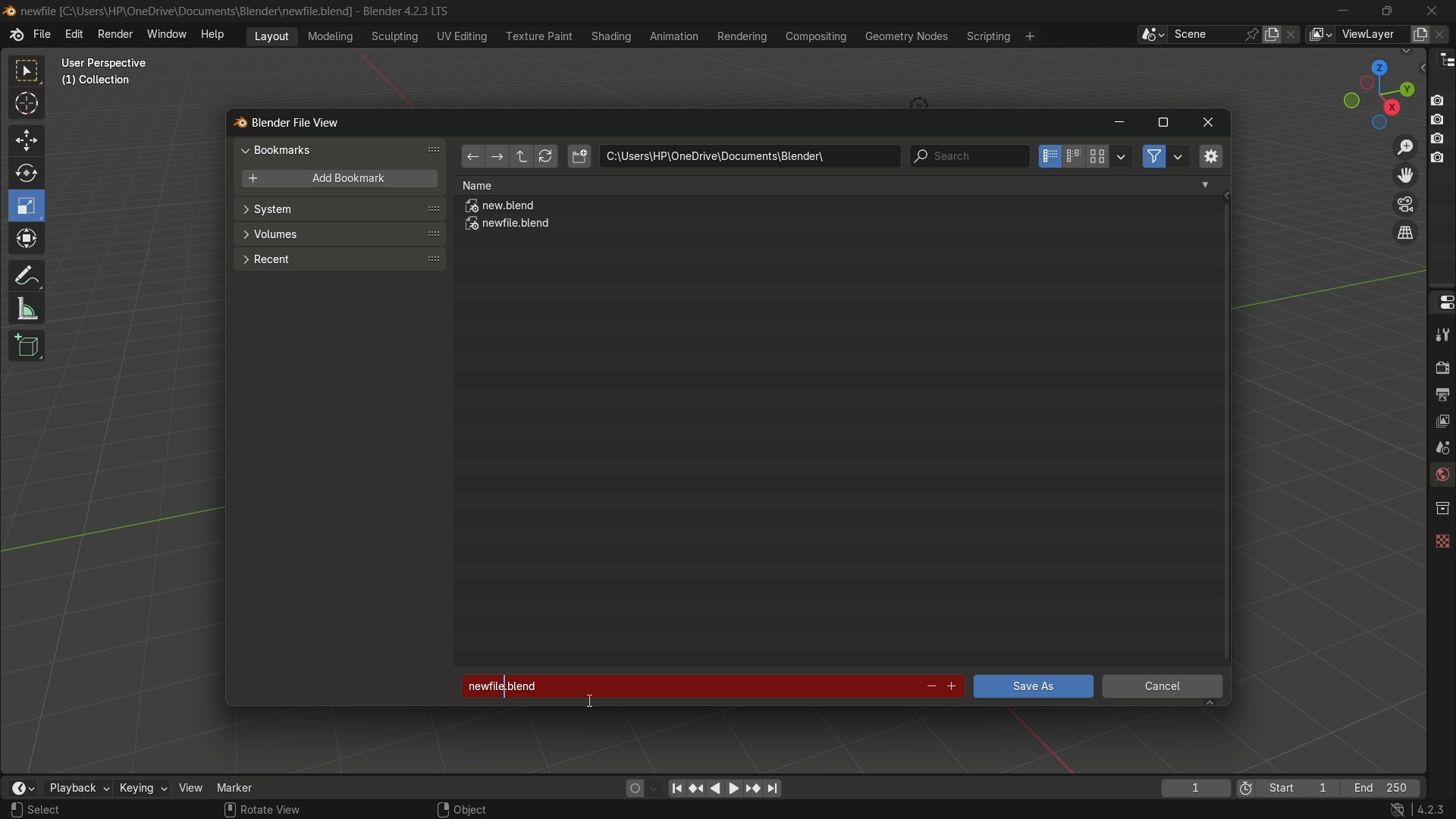 The image size is (1456, 819). What do you see at coordinates (690, 684) in the screenshot?
I see `newfile.blend` at bounding box center [690, 684].